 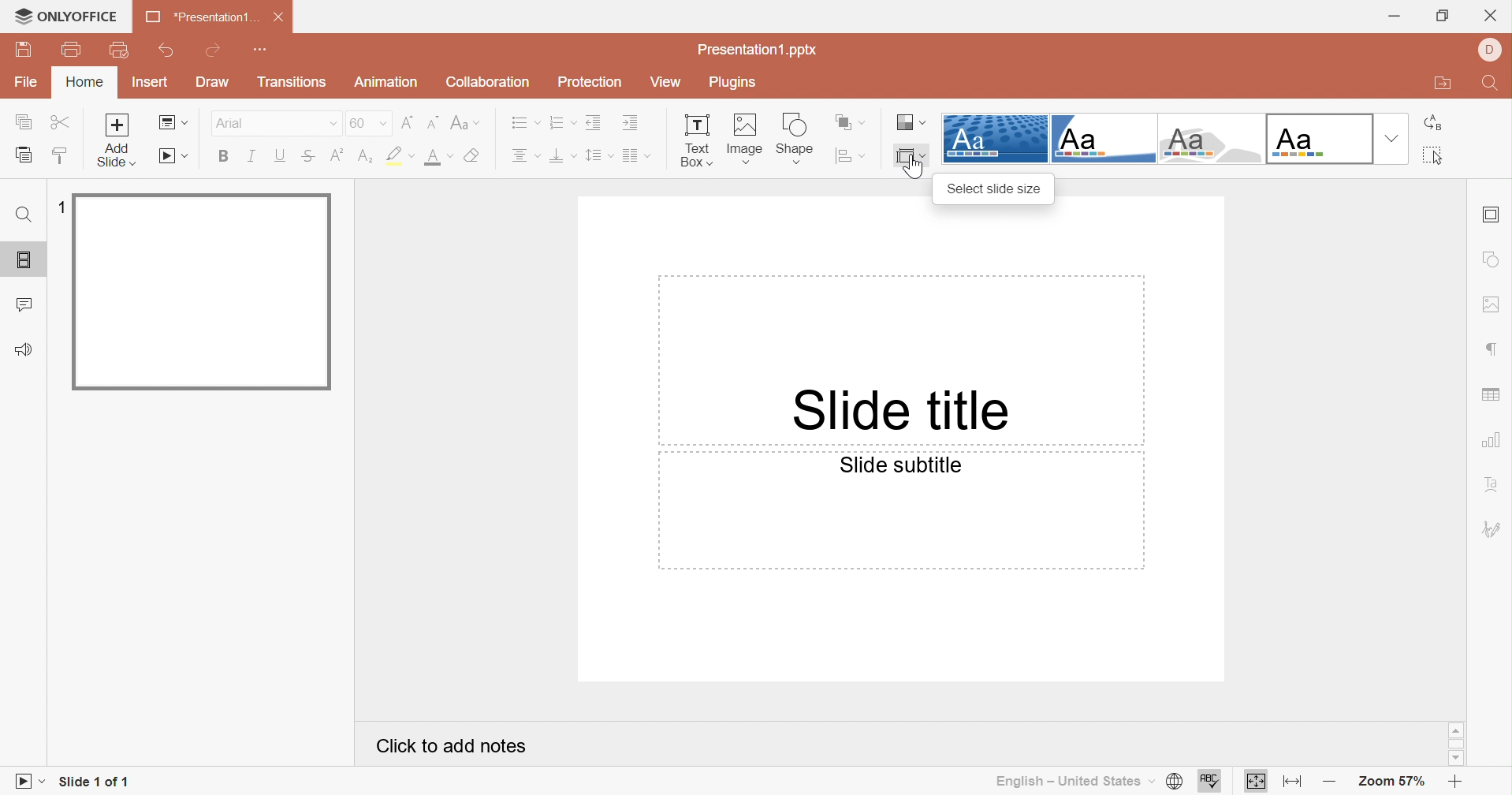 I want to click on Image settings, so click(x=1495, y=304).